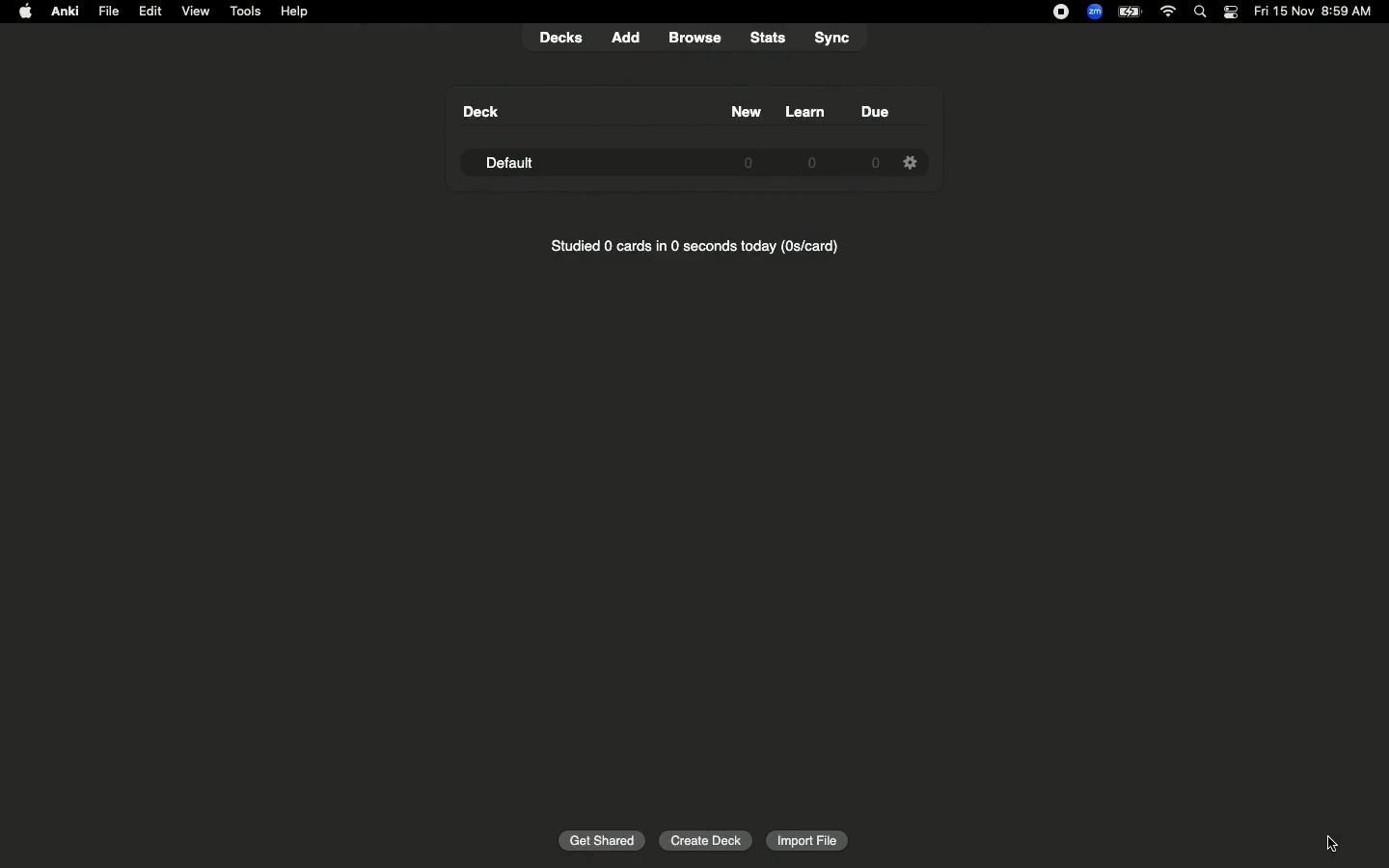  What do you see at coordinates (64, 10) in the screenshot?
I see `Anki` at bounding box center [64, 10].